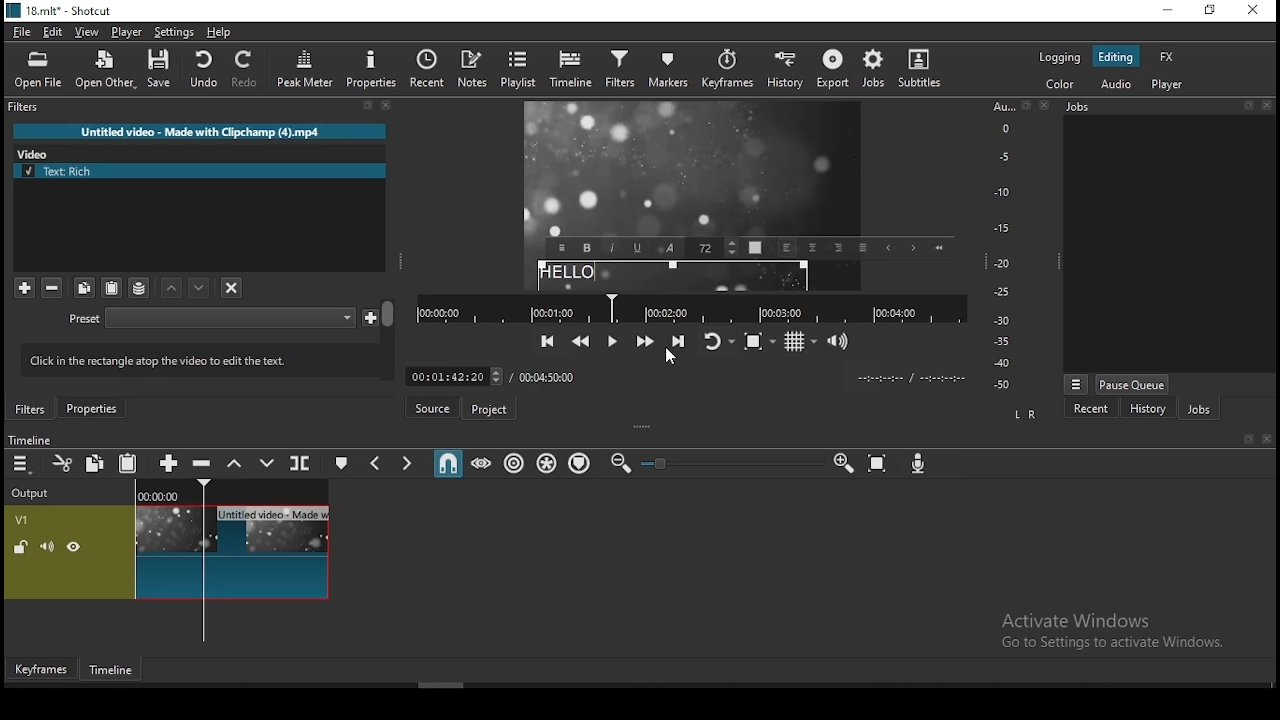 The width and height of the screenshot is (1280, 720). I want to click on timeline, so click(571, 71).